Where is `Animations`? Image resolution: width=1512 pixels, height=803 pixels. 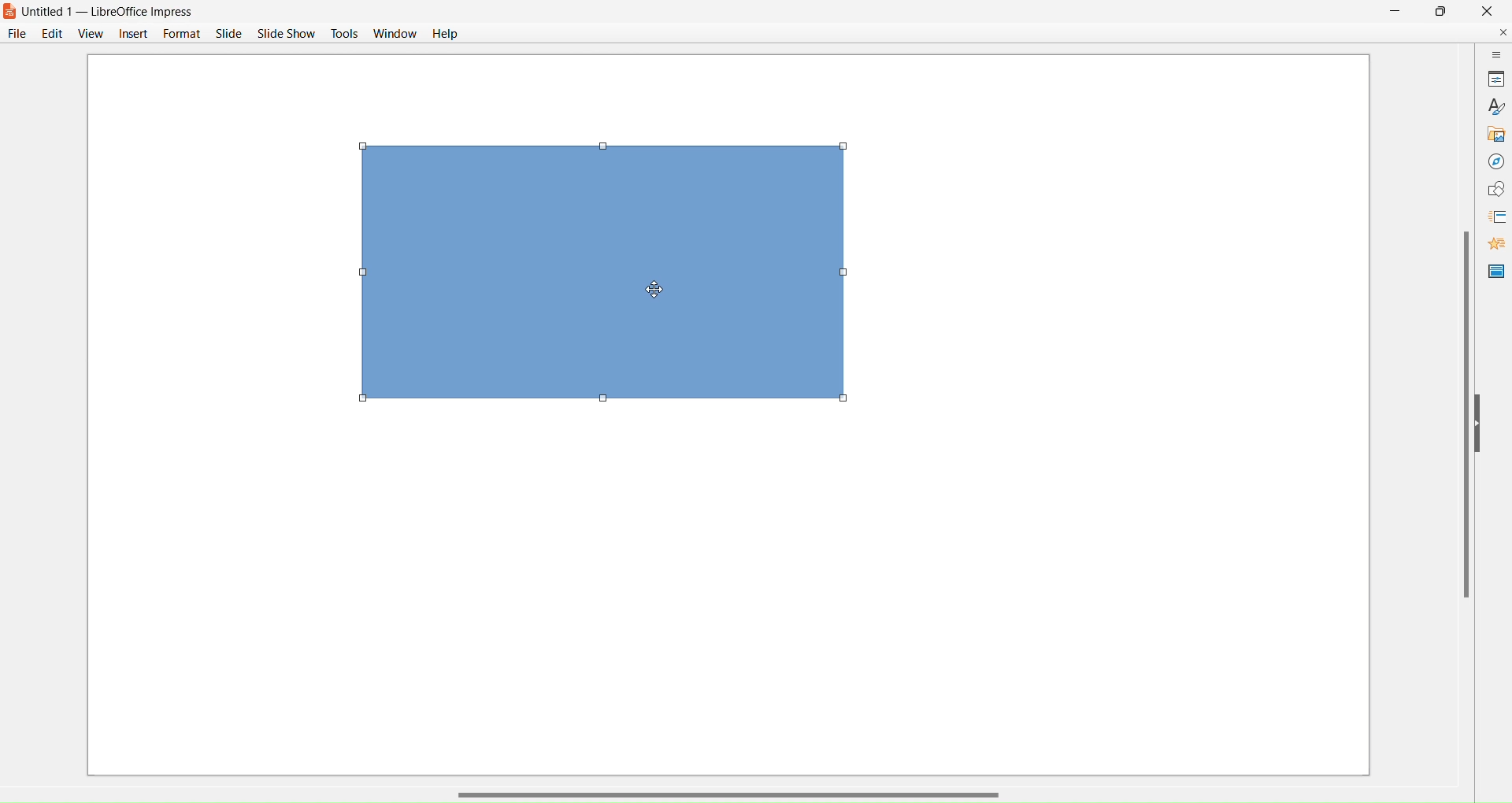
Animations is located at coordinates (1495, 242).